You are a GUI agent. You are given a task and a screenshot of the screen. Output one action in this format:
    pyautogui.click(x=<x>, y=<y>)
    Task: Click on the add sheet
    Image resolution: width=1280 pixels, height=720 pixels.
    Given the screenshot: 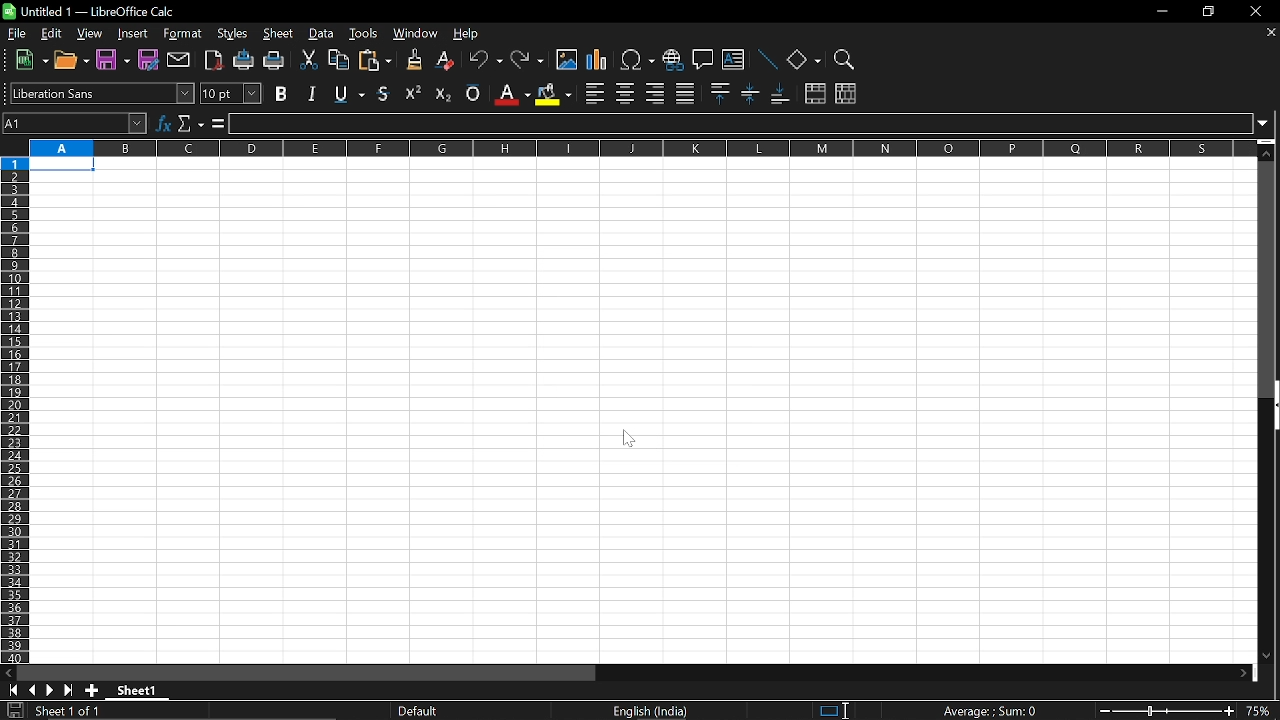 What is the action you would take?
    pyautogui.click(x=90, y=690)
    